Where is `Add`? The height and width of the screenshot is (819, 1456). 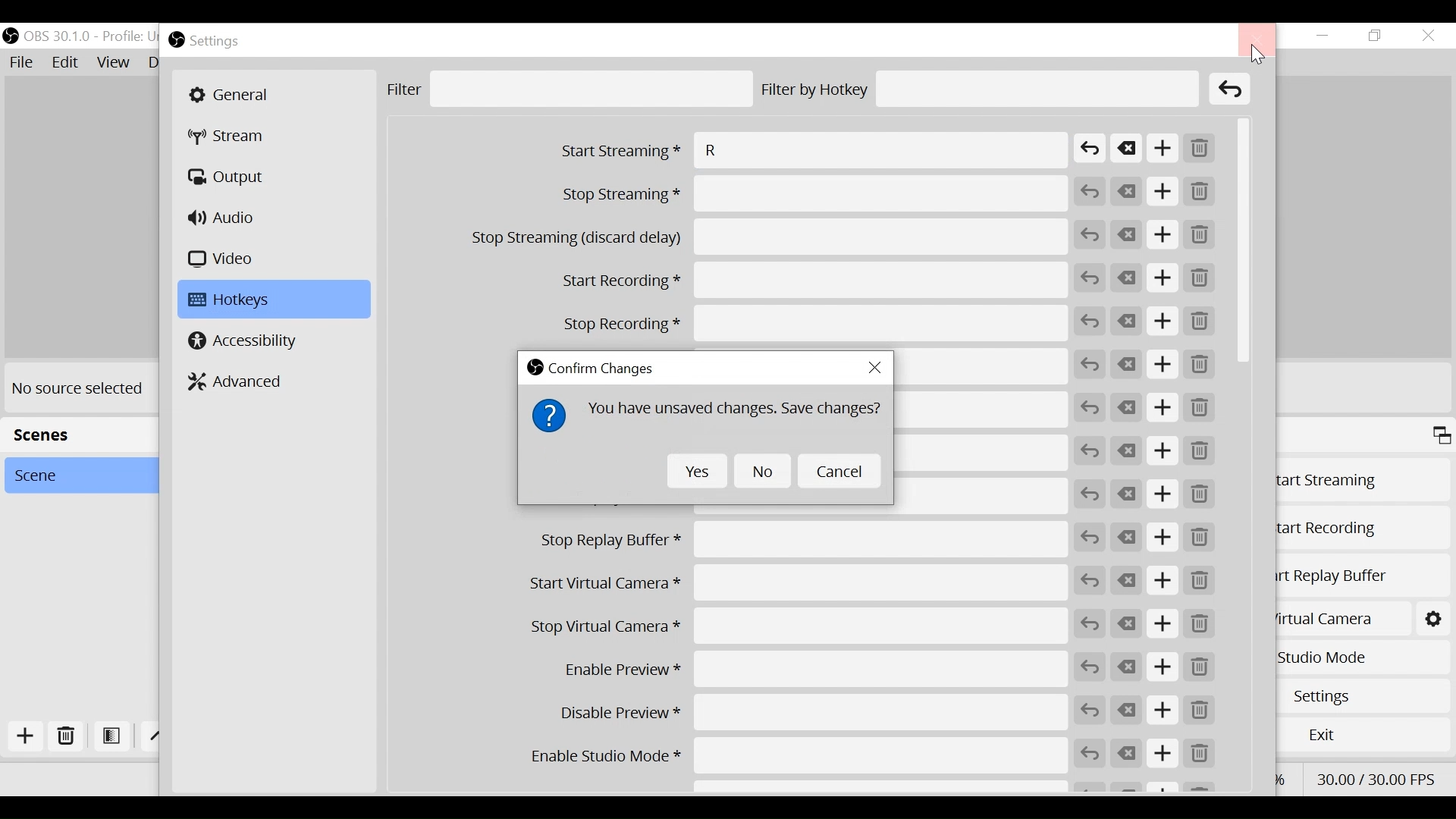
Add is located at coordinates (1163, 149).